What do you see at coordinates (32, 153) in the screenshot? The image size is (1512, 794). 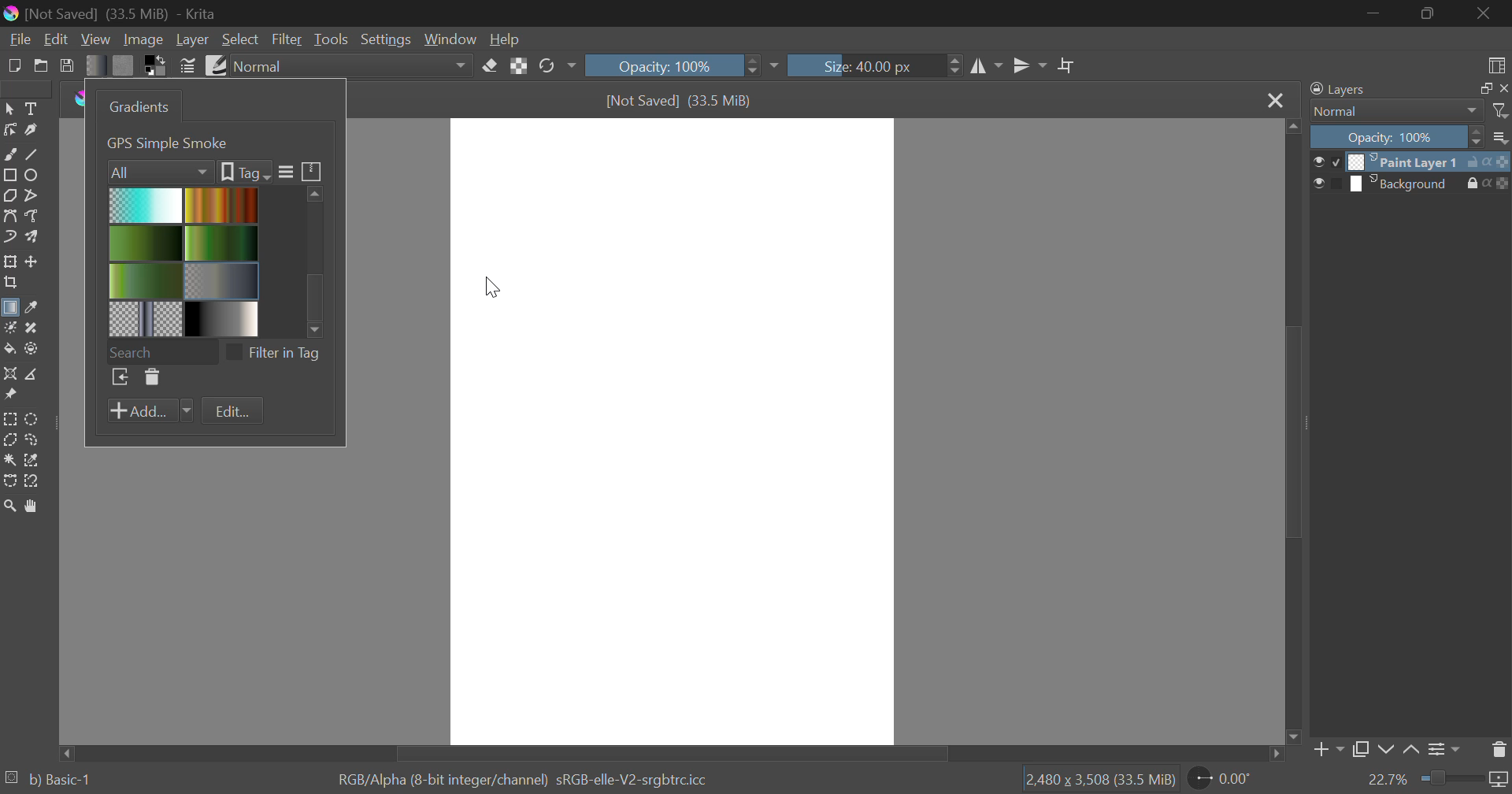 I see `Line` at bounding box center [32, 153].